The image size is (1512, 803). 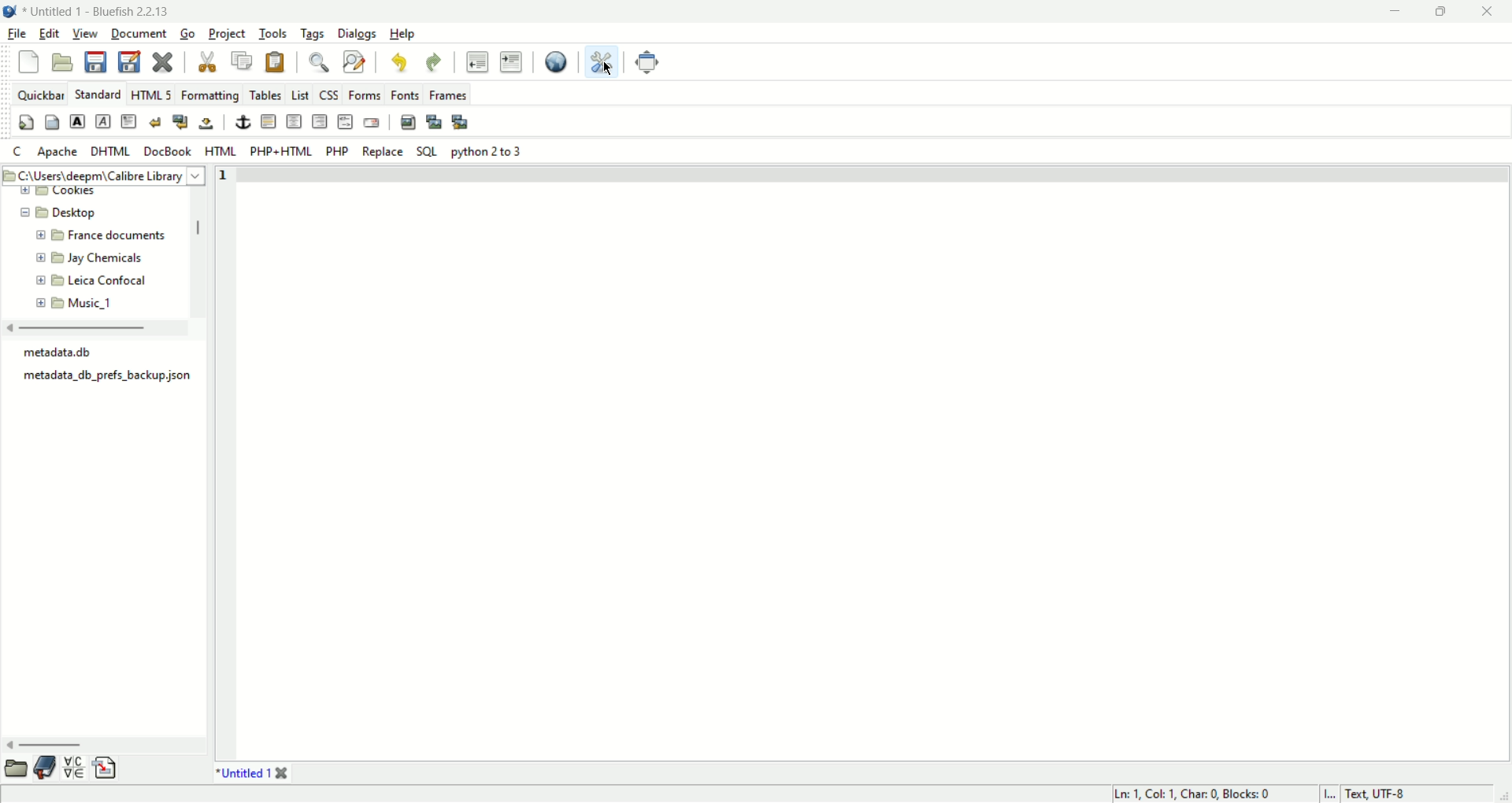 What do you see at coordinates (318, 122) in the screenshot?
I see `right justify` at bounding box center [318, 122].